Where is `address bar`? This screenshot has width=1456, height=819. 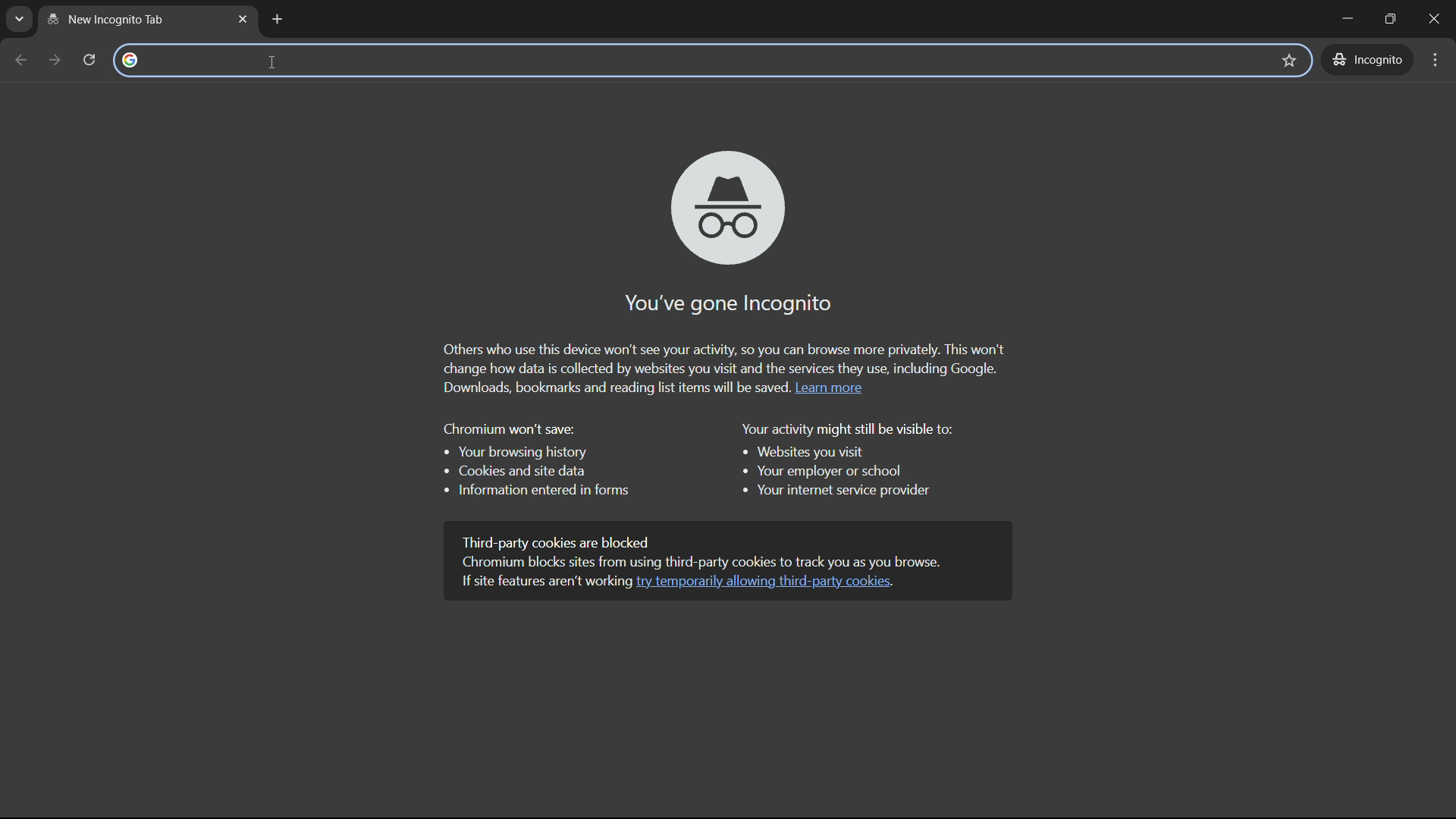 address bar is located at coordinates (689, 60).